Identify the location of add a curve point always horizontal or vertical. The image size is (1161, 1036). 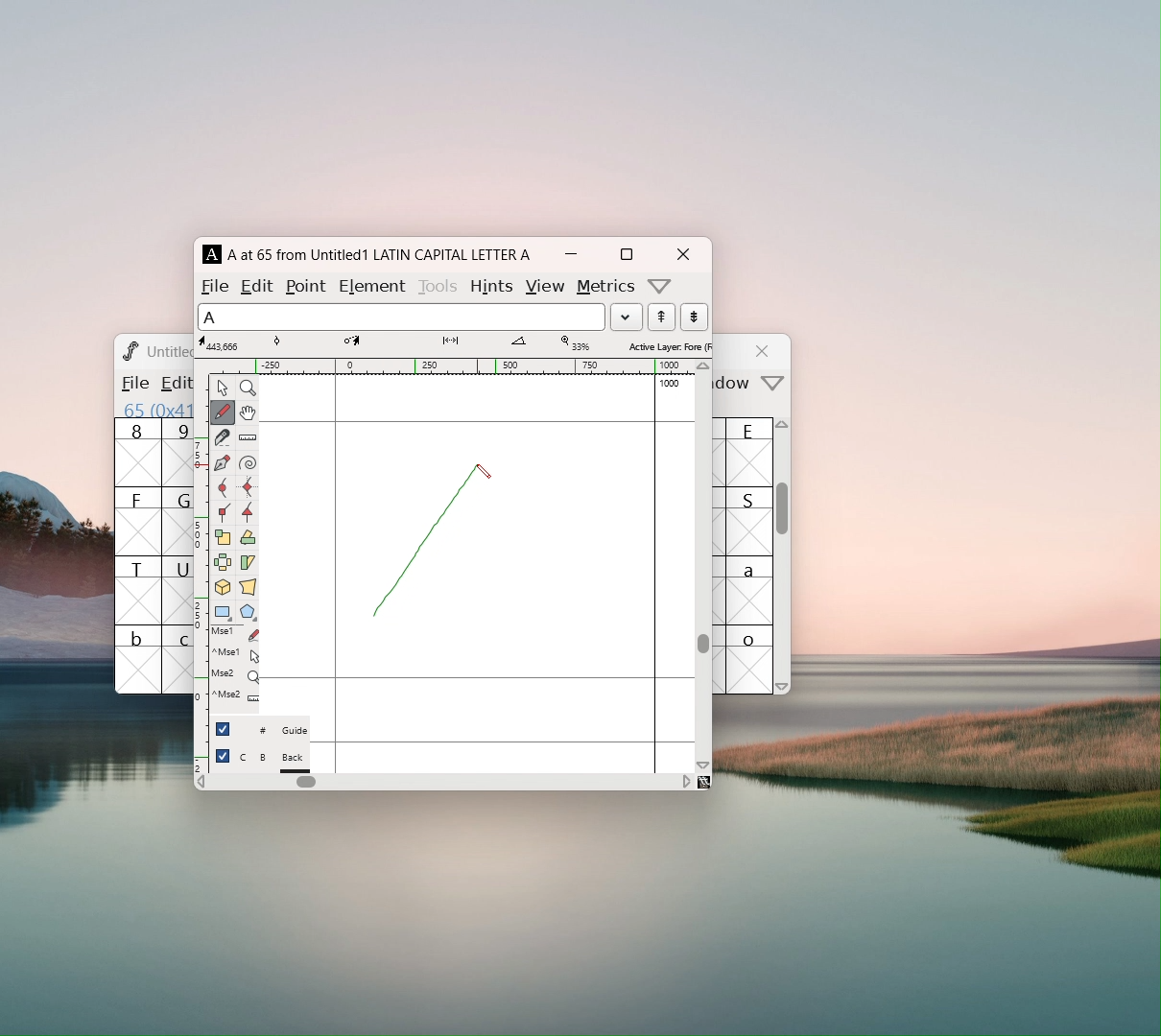
(248, 487).